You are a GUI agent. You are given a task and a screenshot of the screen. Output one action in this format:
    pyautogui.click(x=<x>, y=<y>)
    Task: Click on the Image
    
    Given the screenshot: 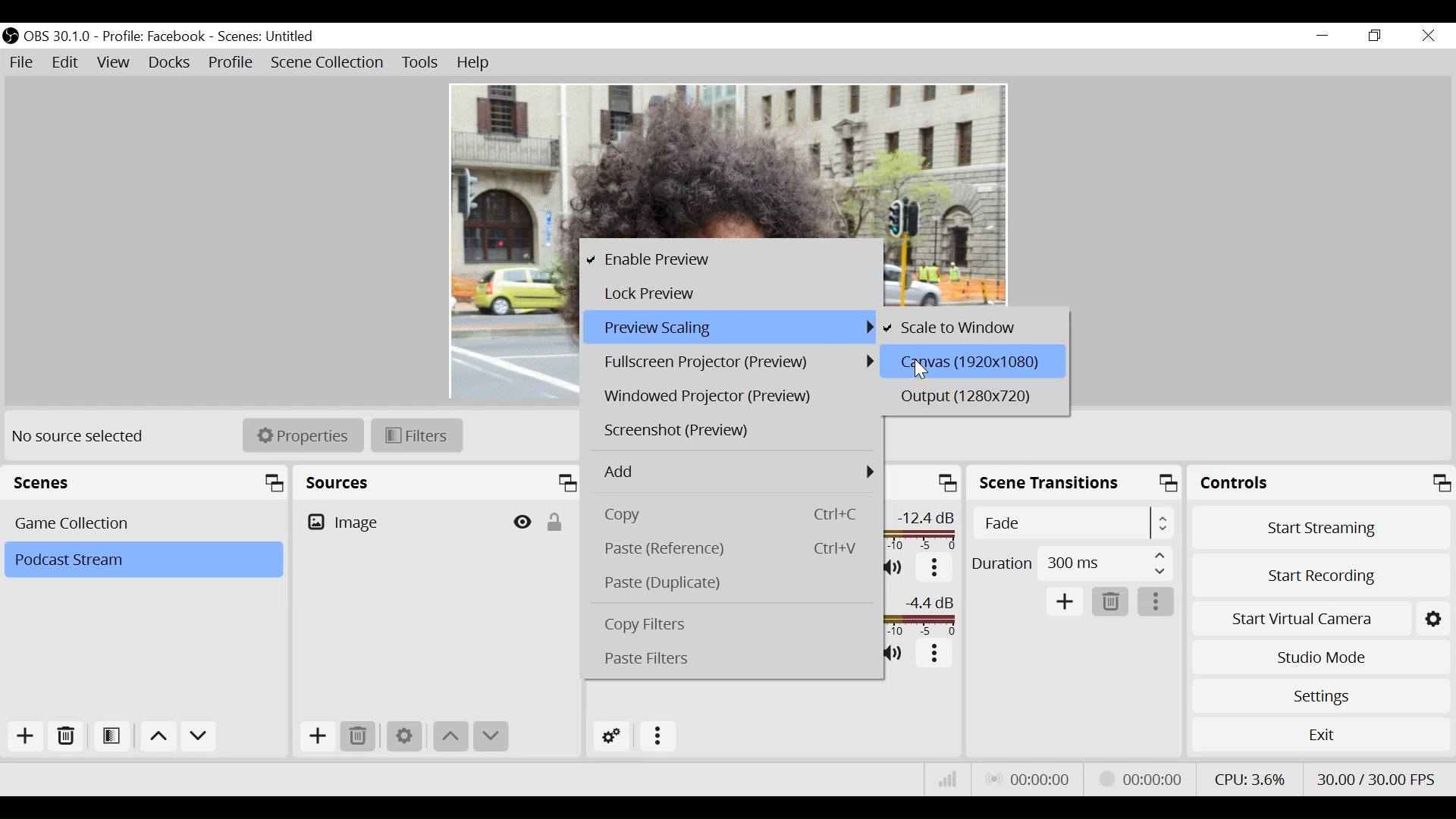 What is the action you would take?
    pyautogui.click(x=397, y=523)
    